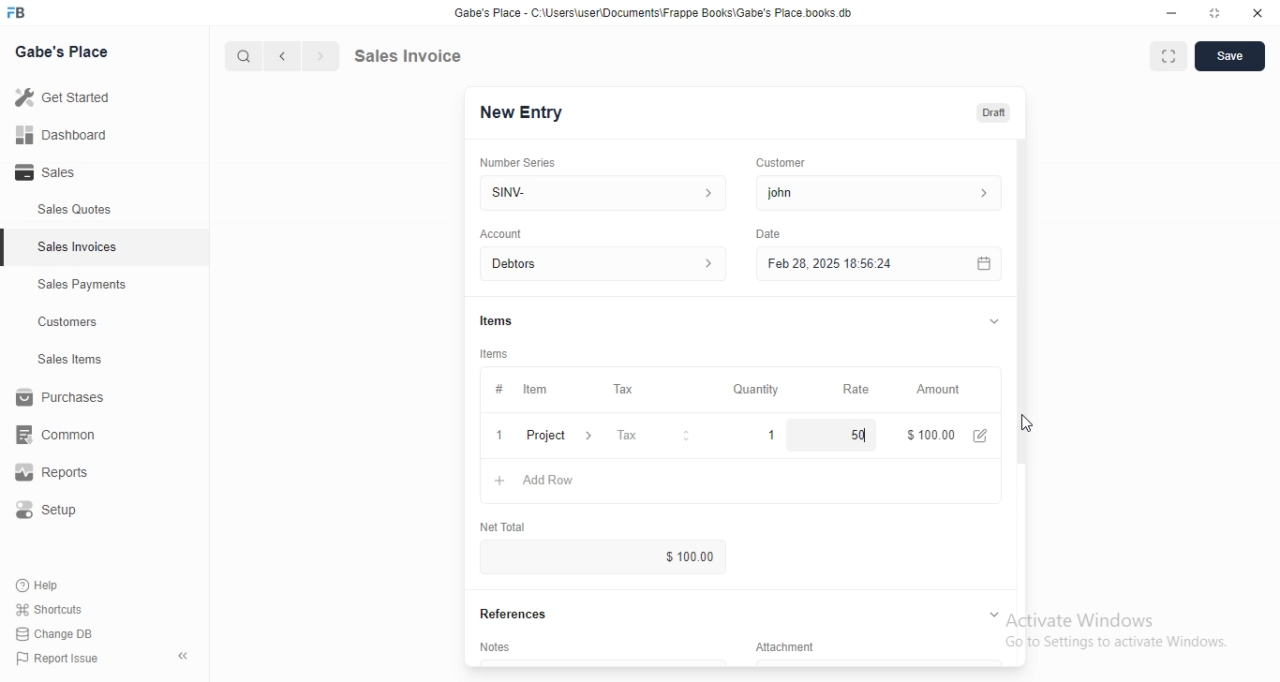 Image resolution: width=1280 pixels, height=682 pixels. Describe the element at coordinates (77, 285) in the screenshot. I see `Sales Payments` at that location.